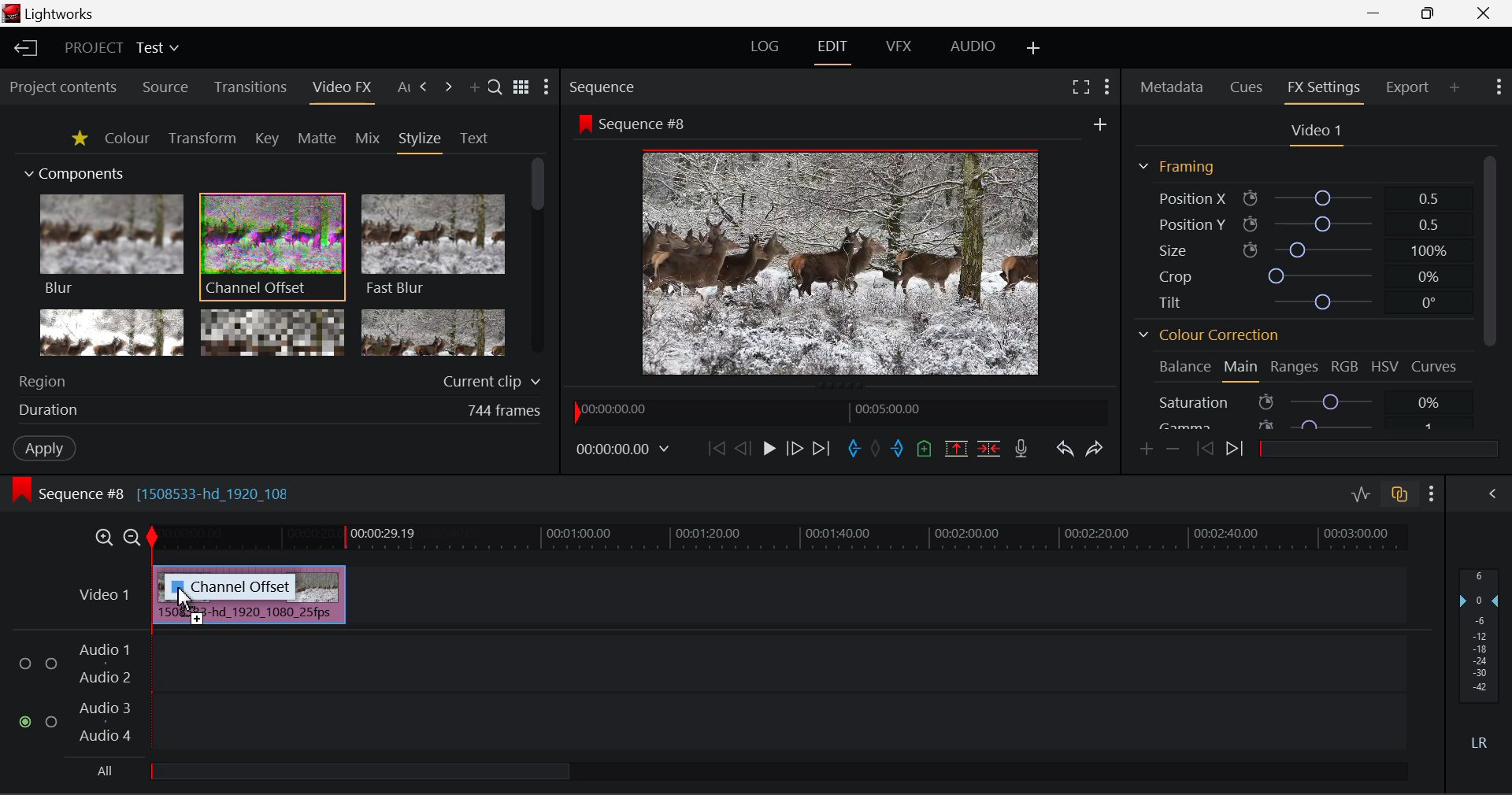  I want to click on DRAG_TO Cursor Position, so click(183, 598).